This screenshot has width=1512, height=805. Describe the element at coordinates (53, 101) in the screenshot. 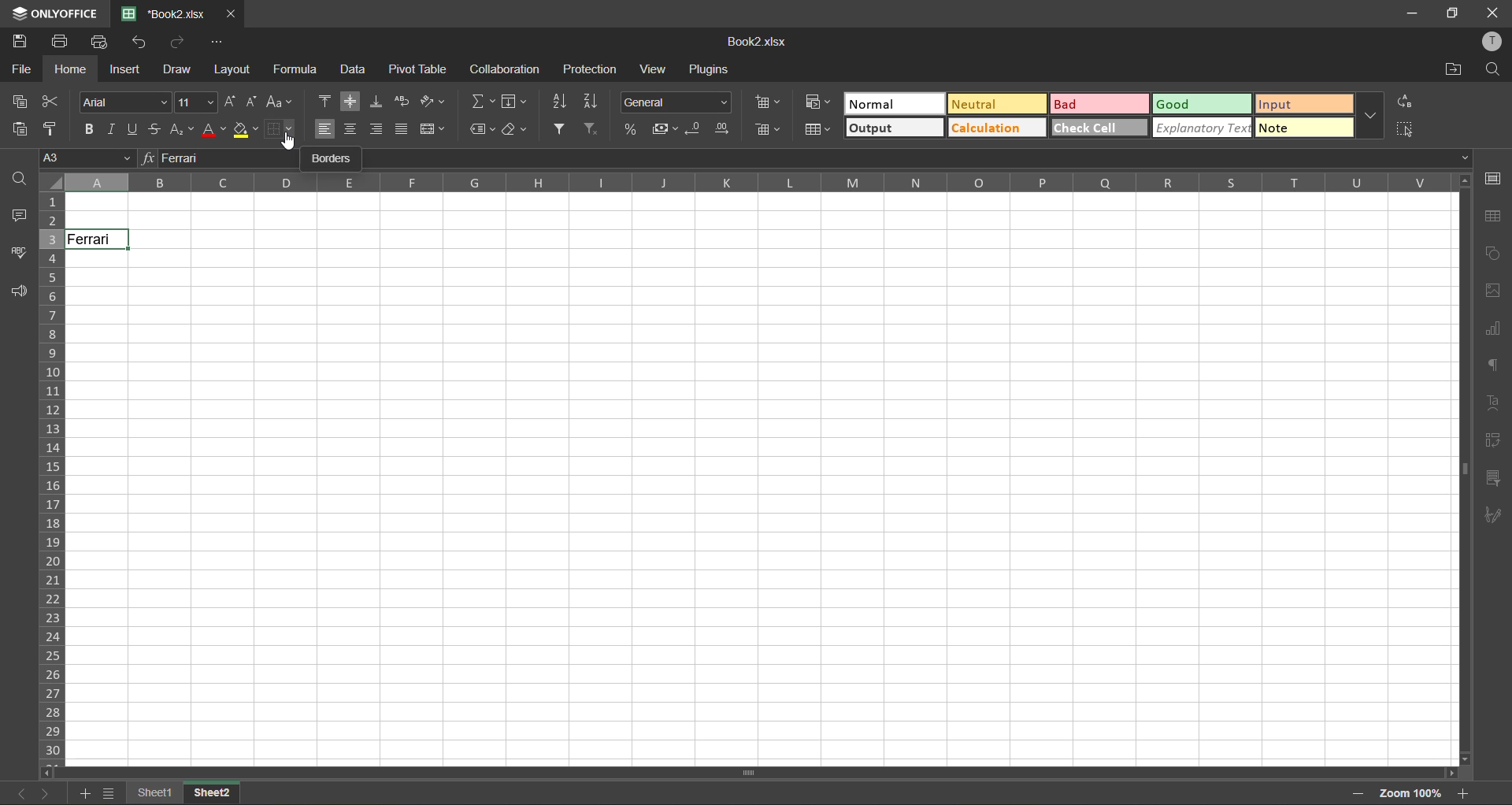

I see `cut` at that location.